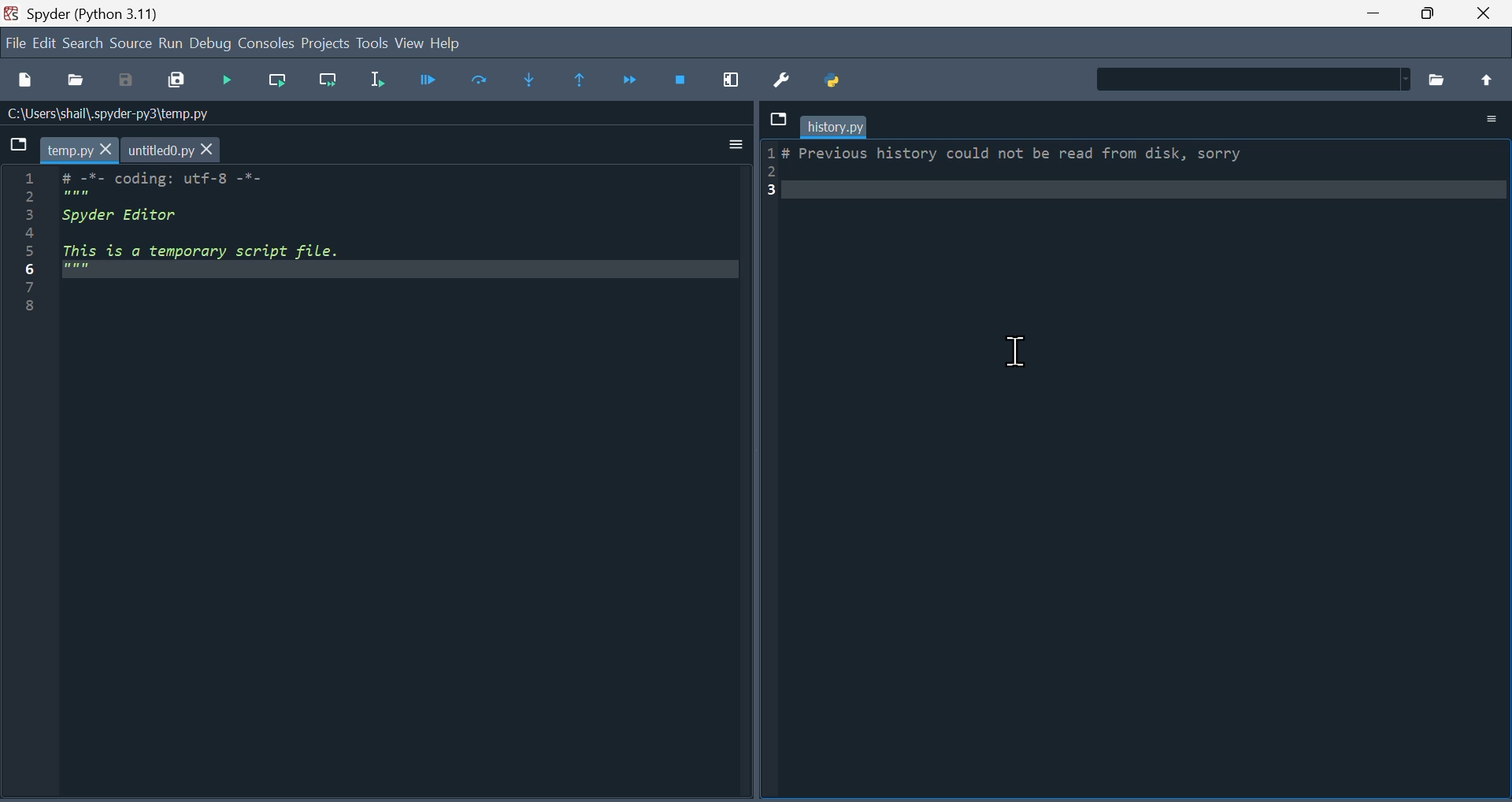 Image resolution: width=1512 pixels, height=802 pixels. What do you see at coordinates (131, 43) in the screenshot?
I see `source` at bounding box center [131, 43].